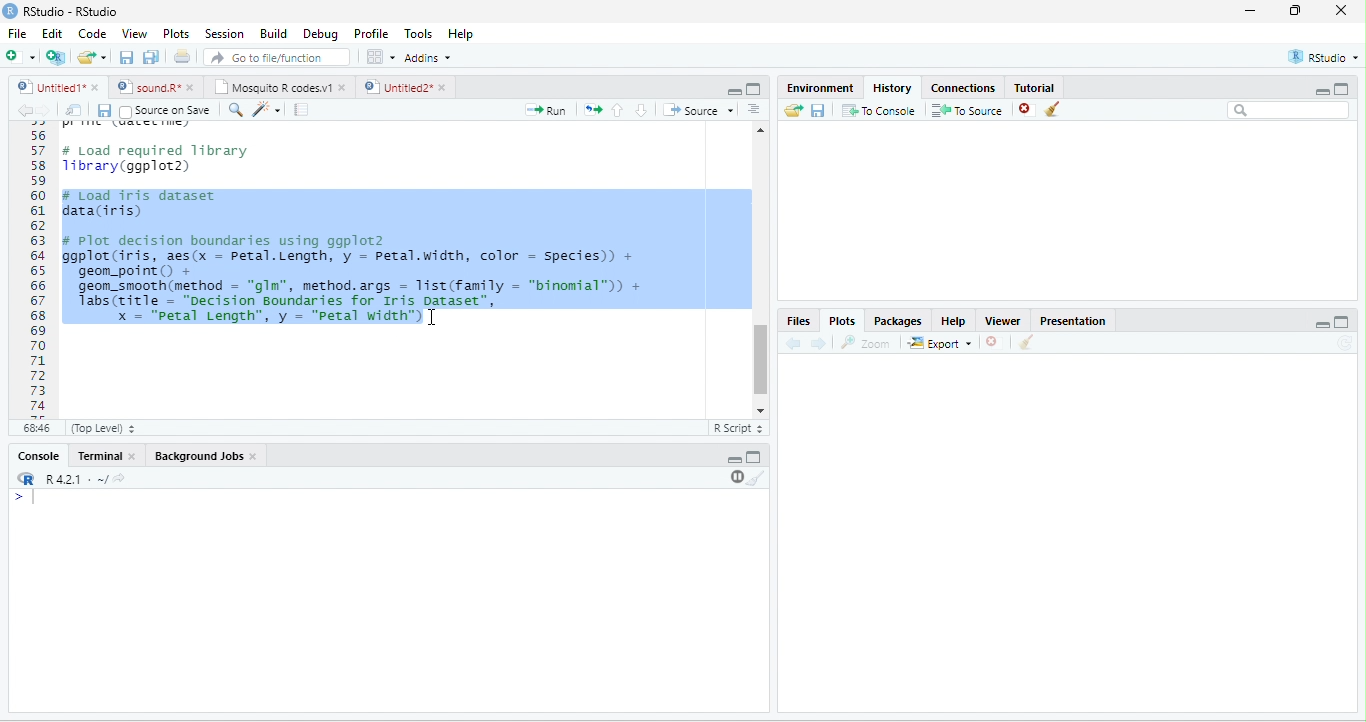 The width and height of the screenshot is (1366, 722). I want to click on Untitled, so click(49, 87).